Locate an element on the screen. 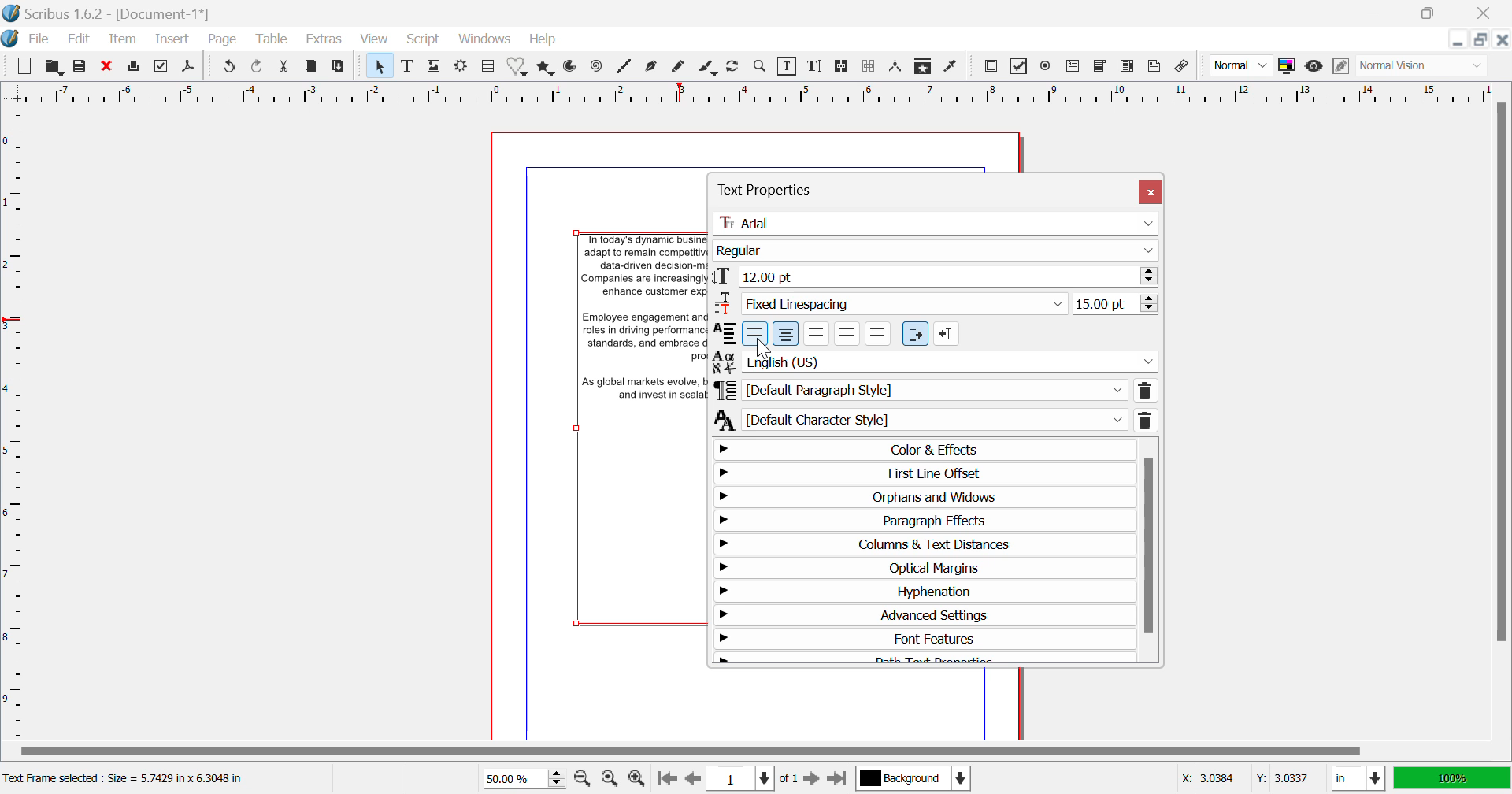  Restore Down is located at coordinates (1379, 12).